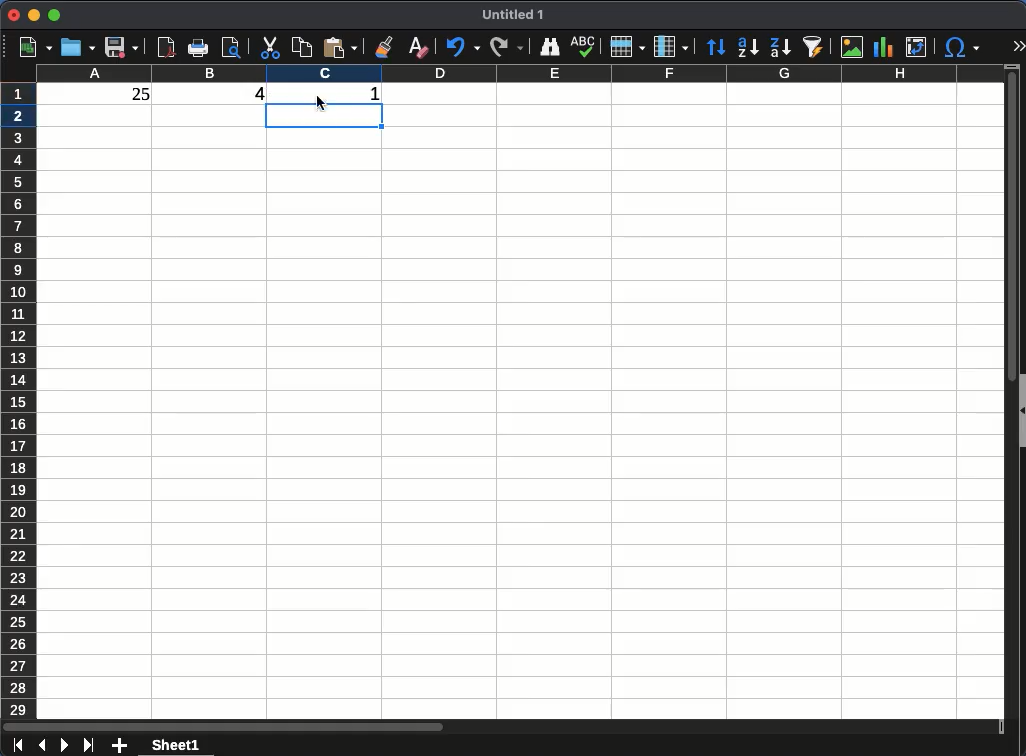  Describe the element at coordinates (15, 14) in the screenshot. I see `close` at that location.